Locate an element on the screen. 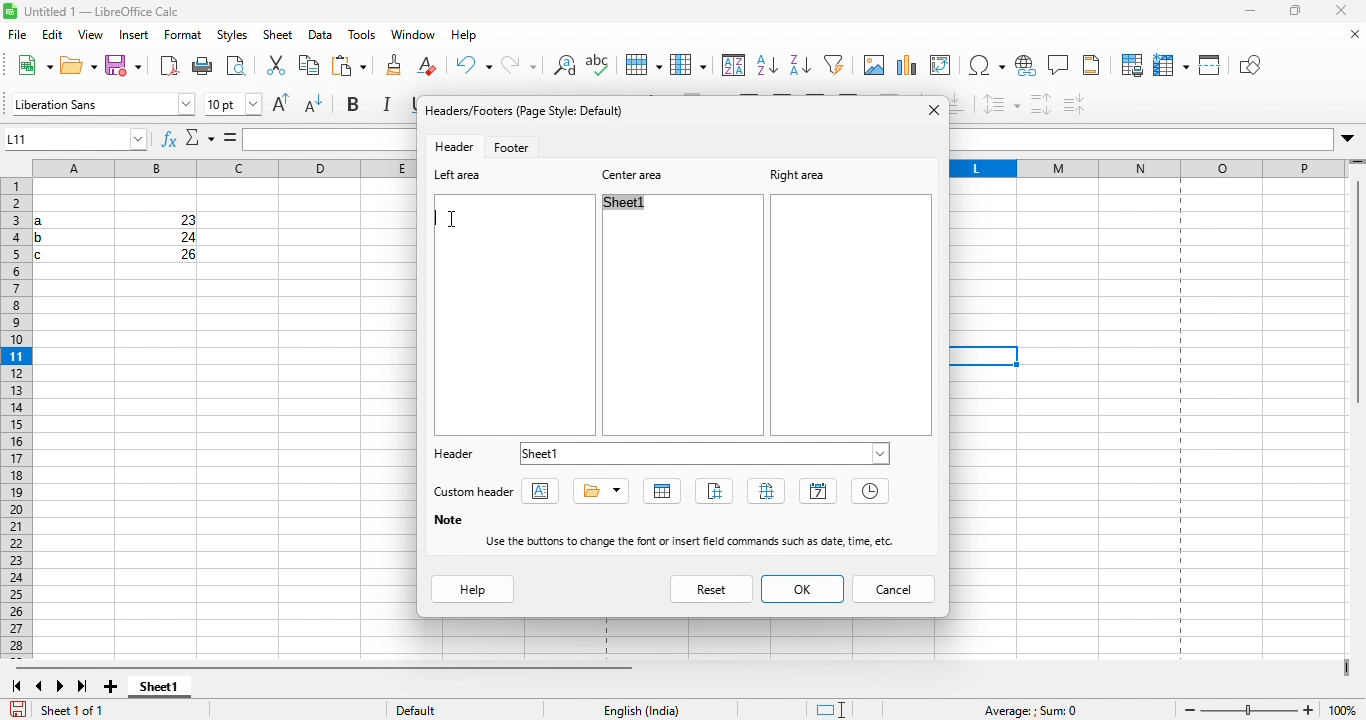 Image resolution: width=1366 pixels, height=720 pixels. headers/footers is located at coordinates (532, 111).